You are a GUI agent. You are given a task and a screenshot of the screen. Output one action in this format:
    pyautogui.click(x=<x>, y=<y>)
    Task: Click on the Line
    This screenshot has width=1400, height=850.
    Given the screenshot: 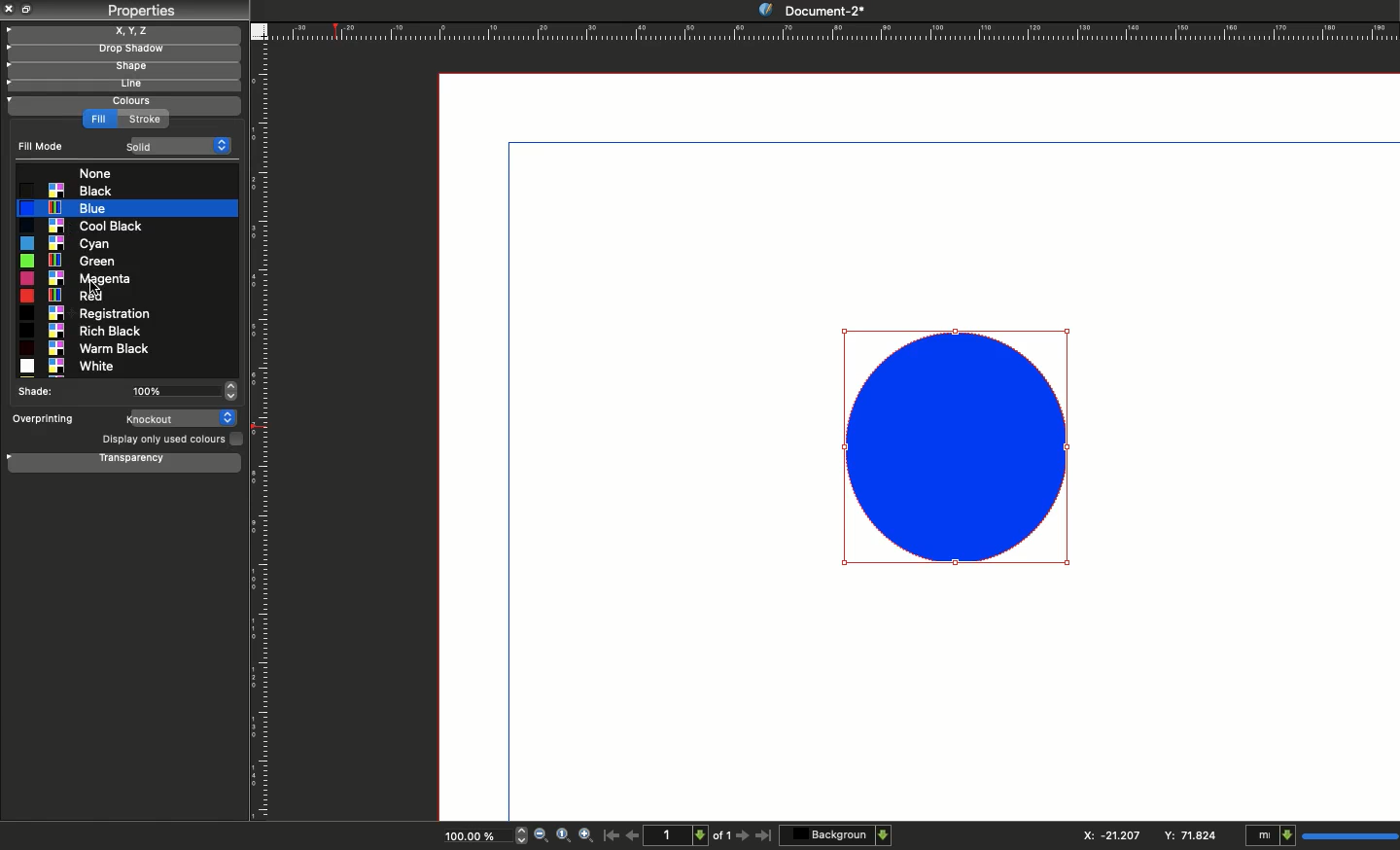 What is the action you would take?
    pyautogui.click(x=119, y=86)
    